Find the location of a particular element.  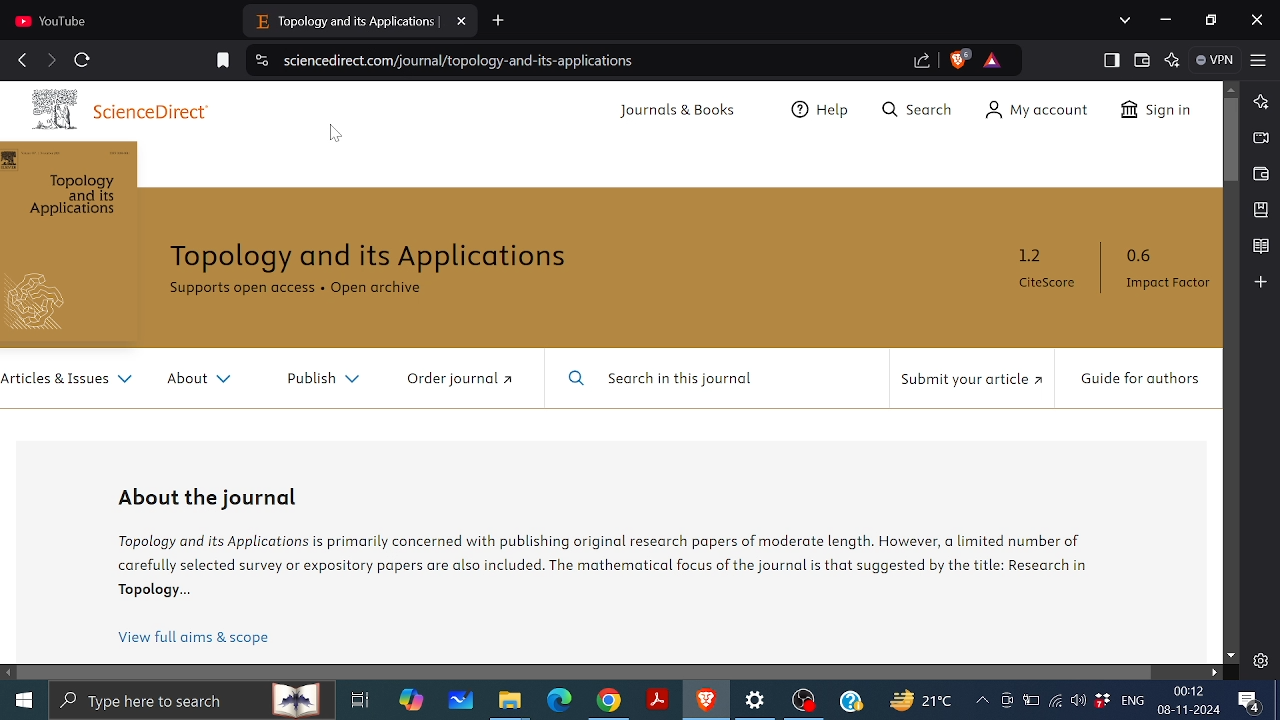

reading list is located at coordinates (1261, 247).